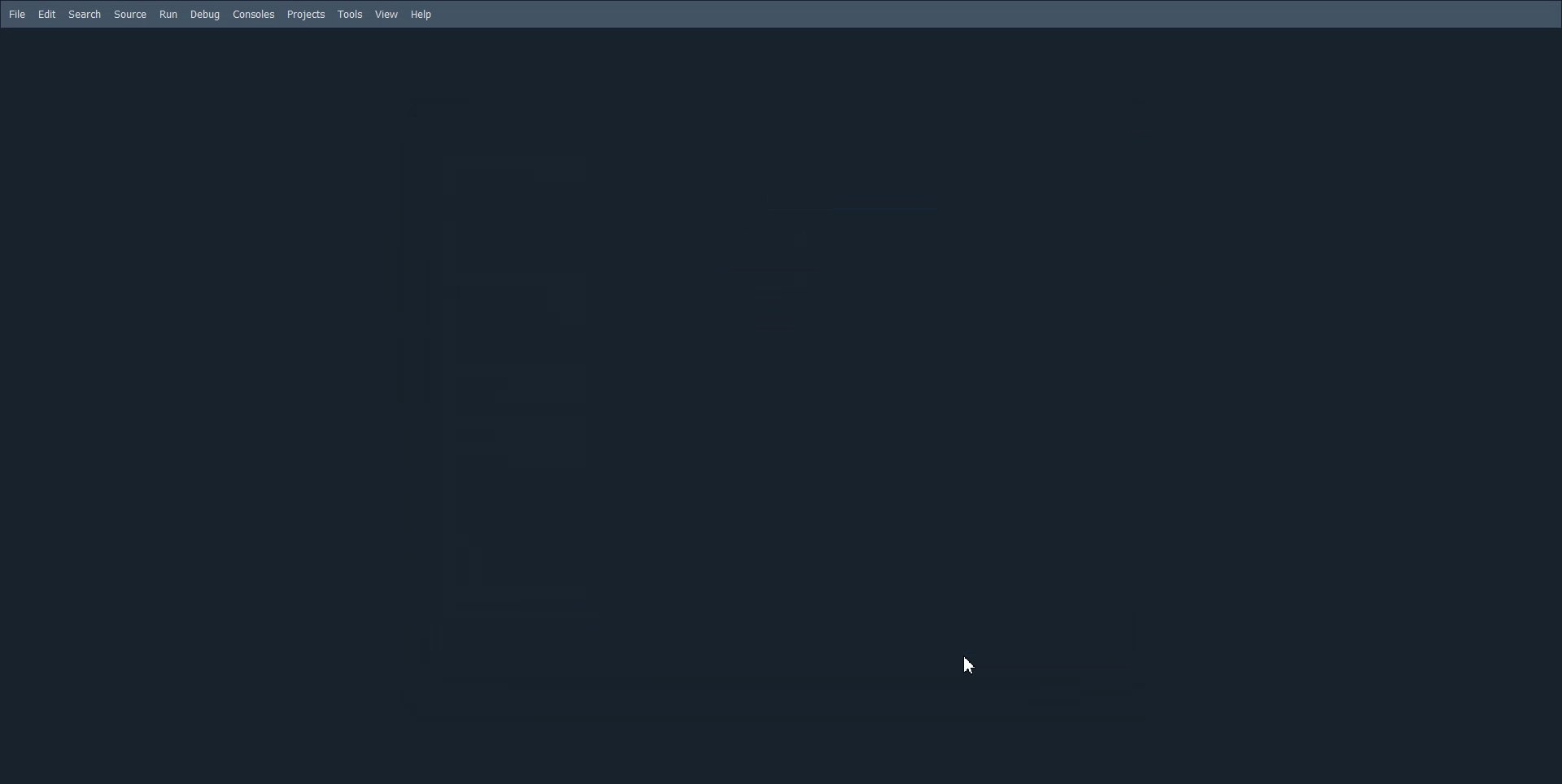 The height and width of the screenshot is (784, 1562). I want to click on Run, so click(168, 15).